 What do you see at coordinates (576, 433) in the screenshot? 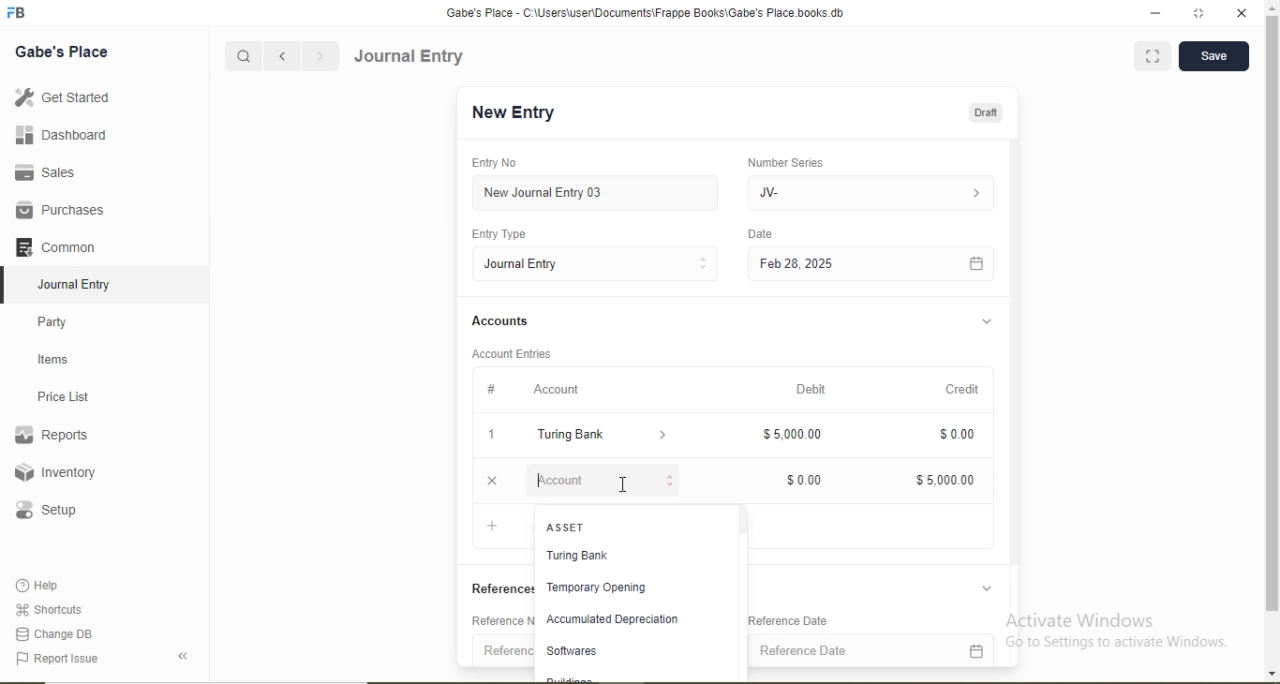
I see `Turing Bank` at bounding box center [576, 433].